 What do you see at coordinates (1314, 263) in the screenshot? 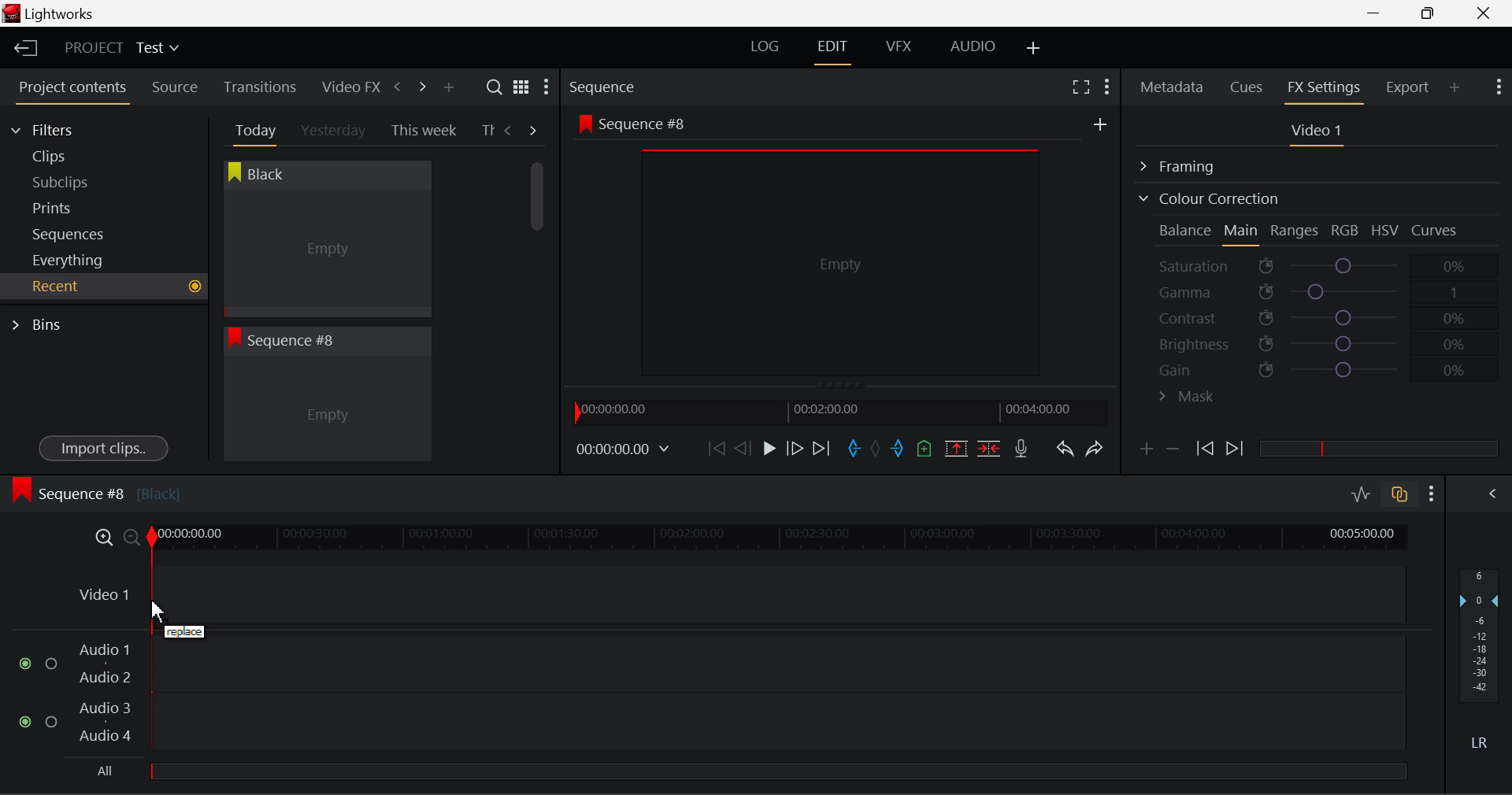
I see `Saturation` at bounding box center [1314, 263].